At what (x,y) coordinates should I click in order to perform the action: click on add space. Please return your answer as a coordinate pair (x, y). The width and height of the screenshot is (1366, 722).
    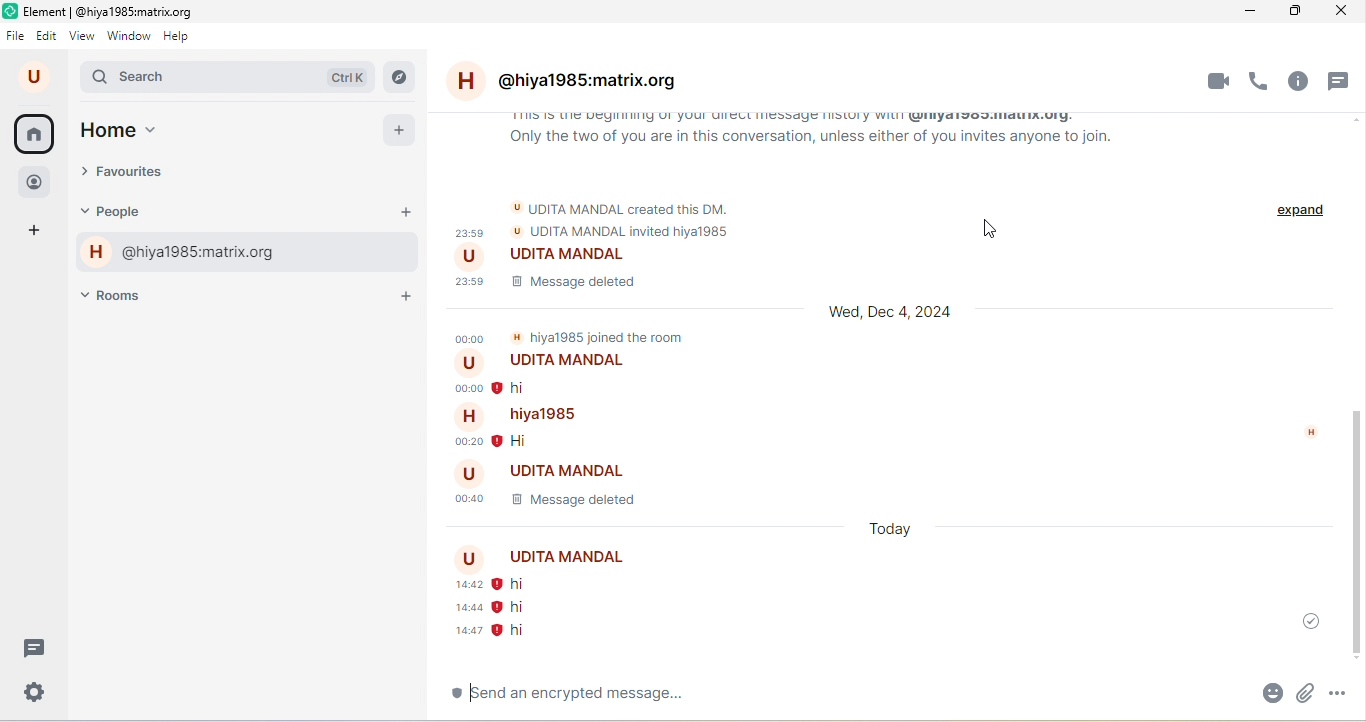
    Looking at the image, I should click on (38, 233).